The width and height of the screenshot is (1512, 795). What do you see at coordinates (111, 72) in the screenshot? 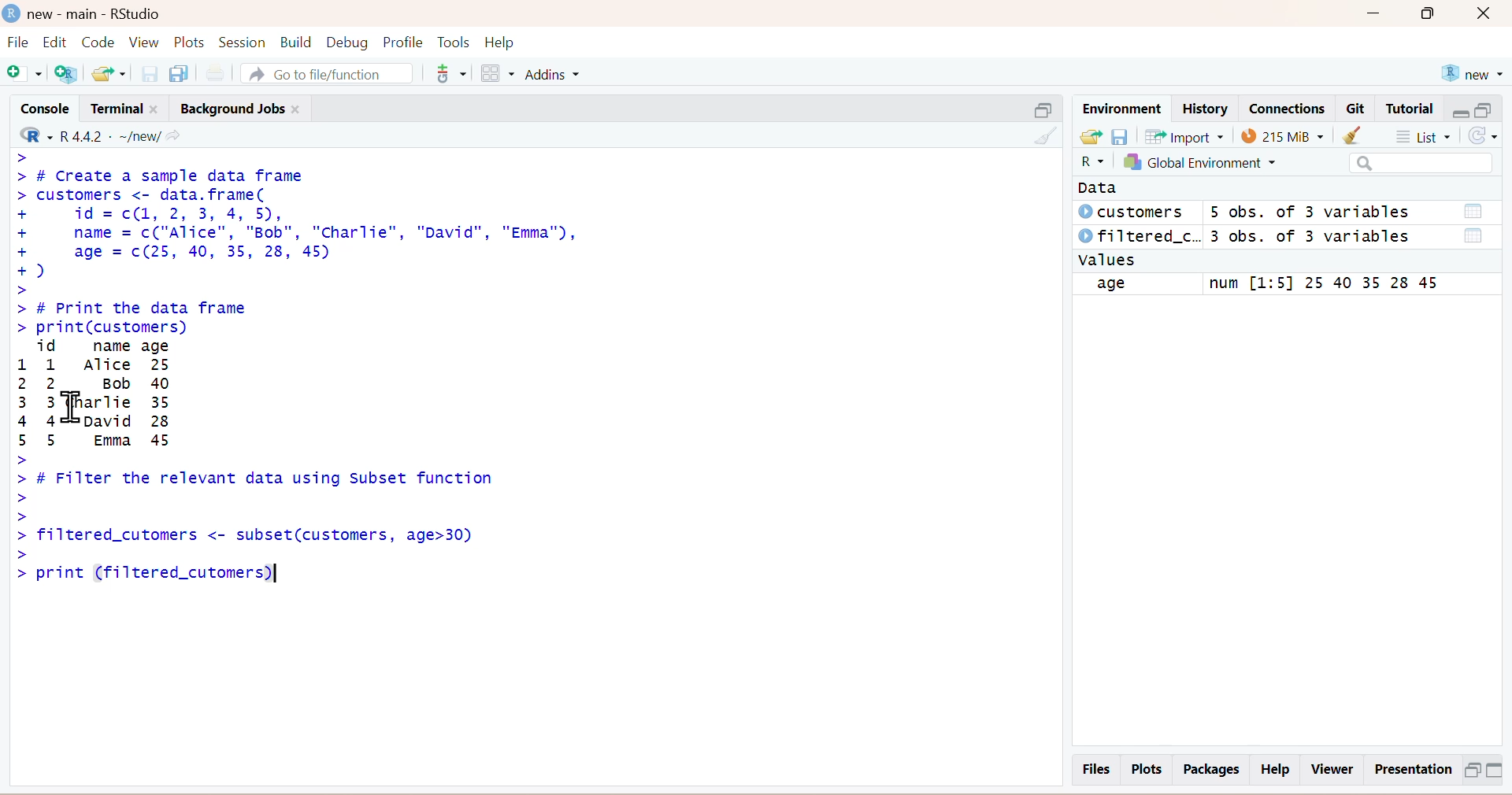
I see `Open existing file` at bounding box center [111, 72].